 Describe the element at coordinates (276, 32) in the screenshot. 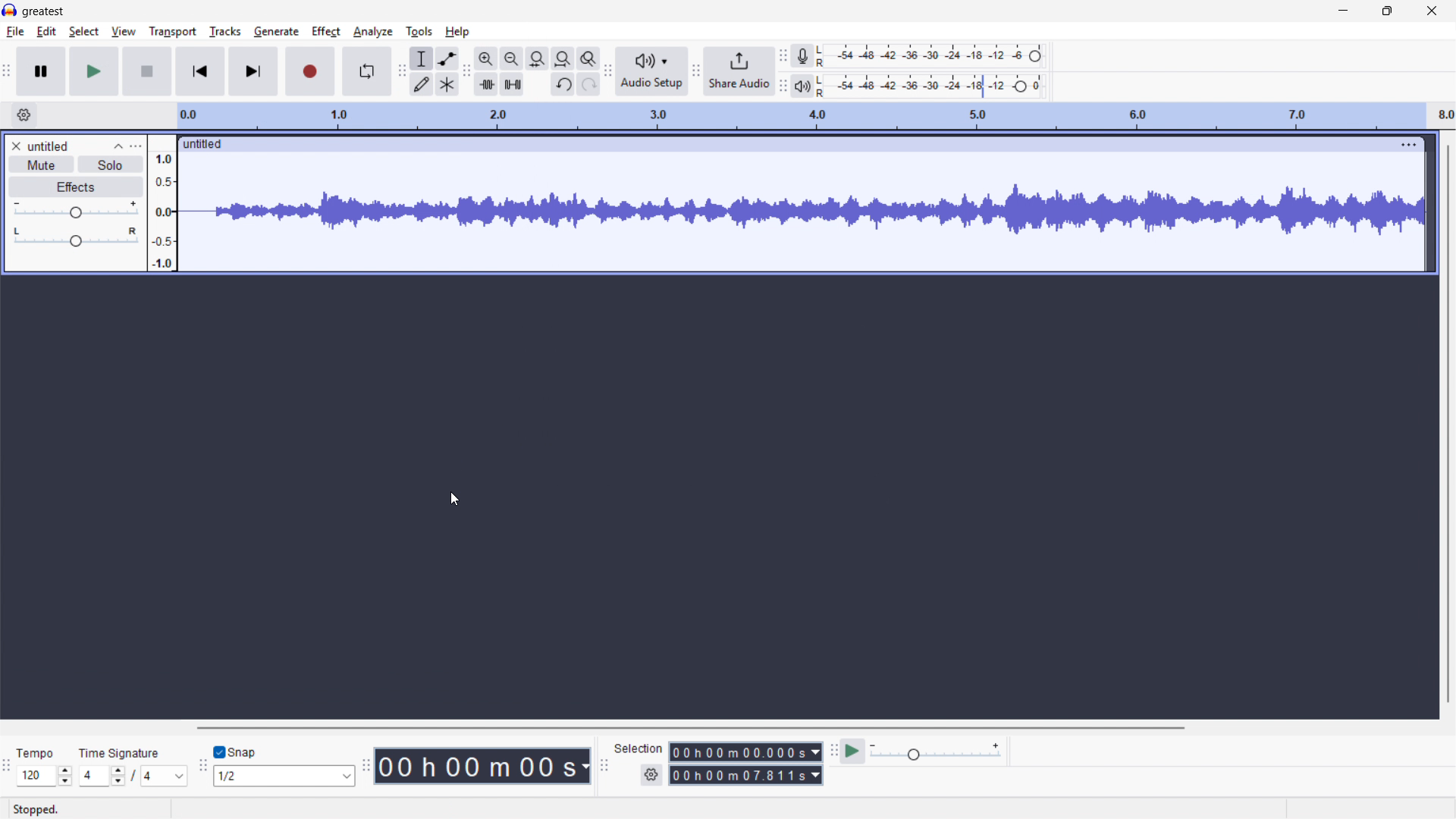

I see `generate` at that location.